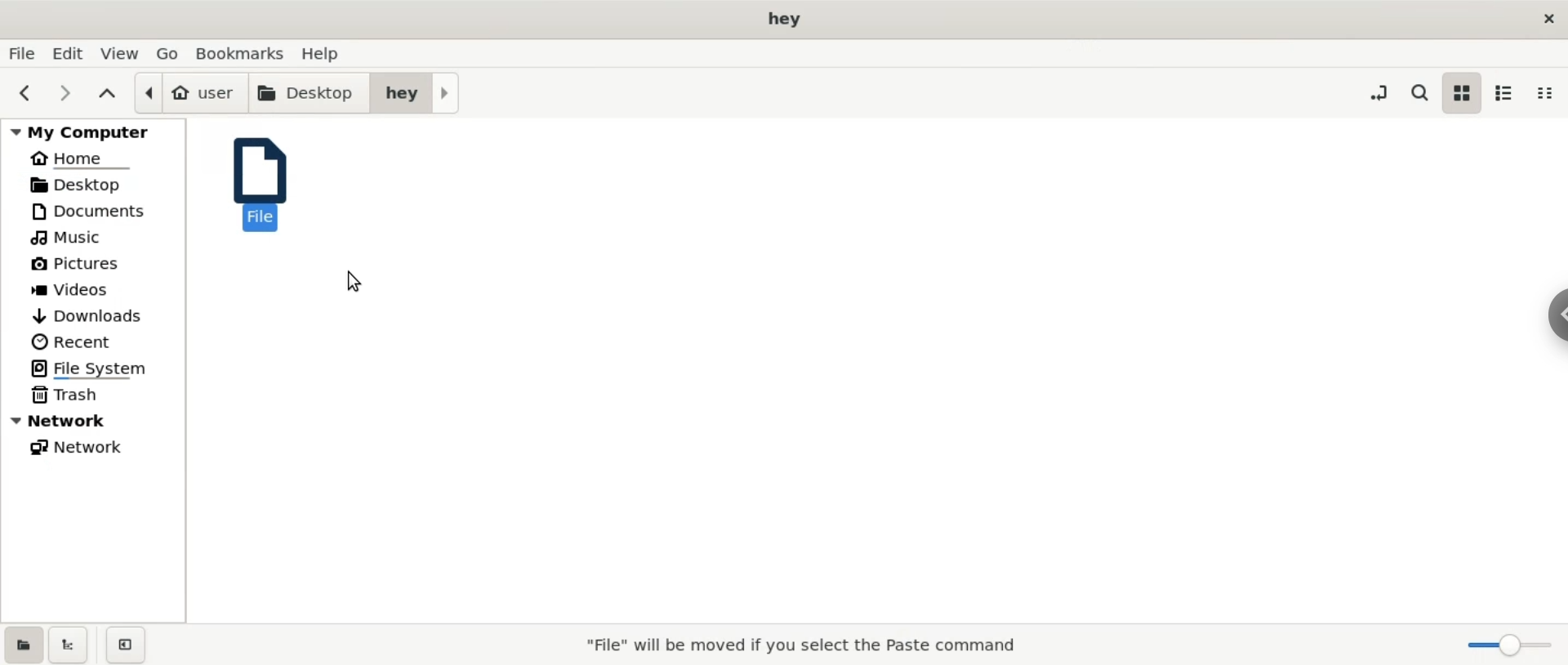  What do you see at coordinates (99, 235) in the screenshot?
I see `music` at bounding box center [99, 235].